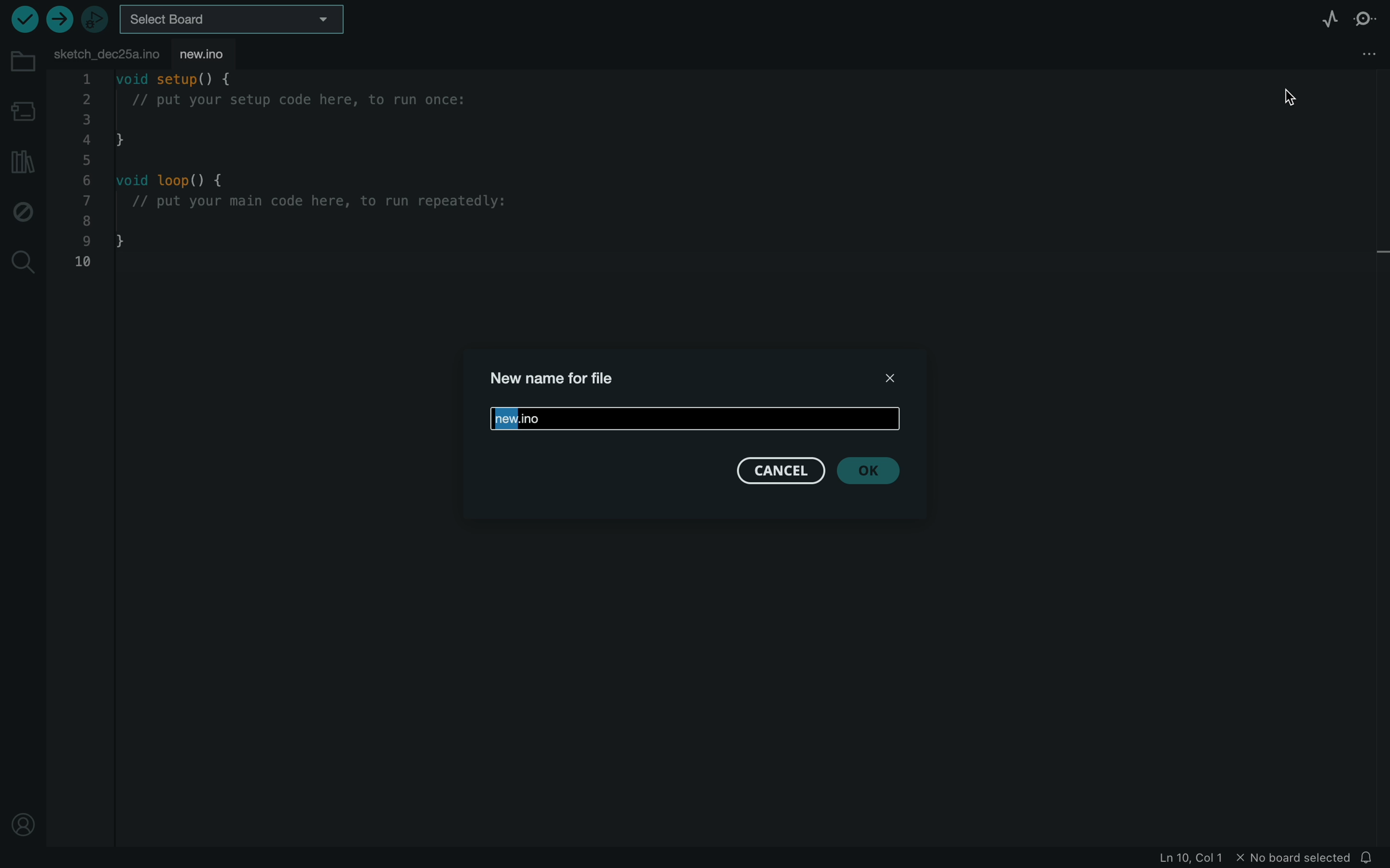 The image size is (1390, 868). Describe the element at coordinates (779, 473) in the screenshot. I see `cancel` at that location.